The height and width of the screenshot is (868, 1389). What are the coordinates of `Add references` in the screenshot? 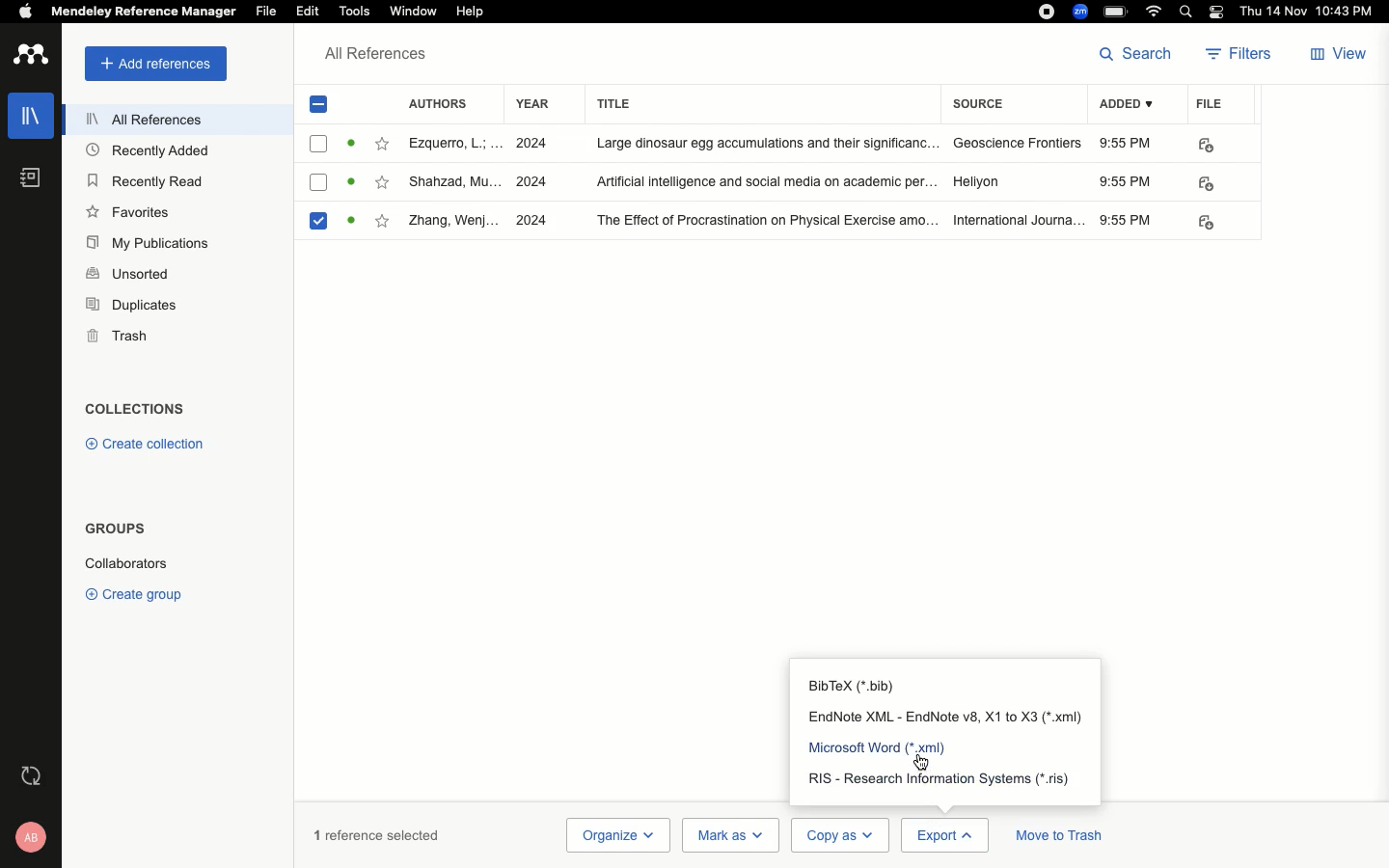 It's located at (155, 64).